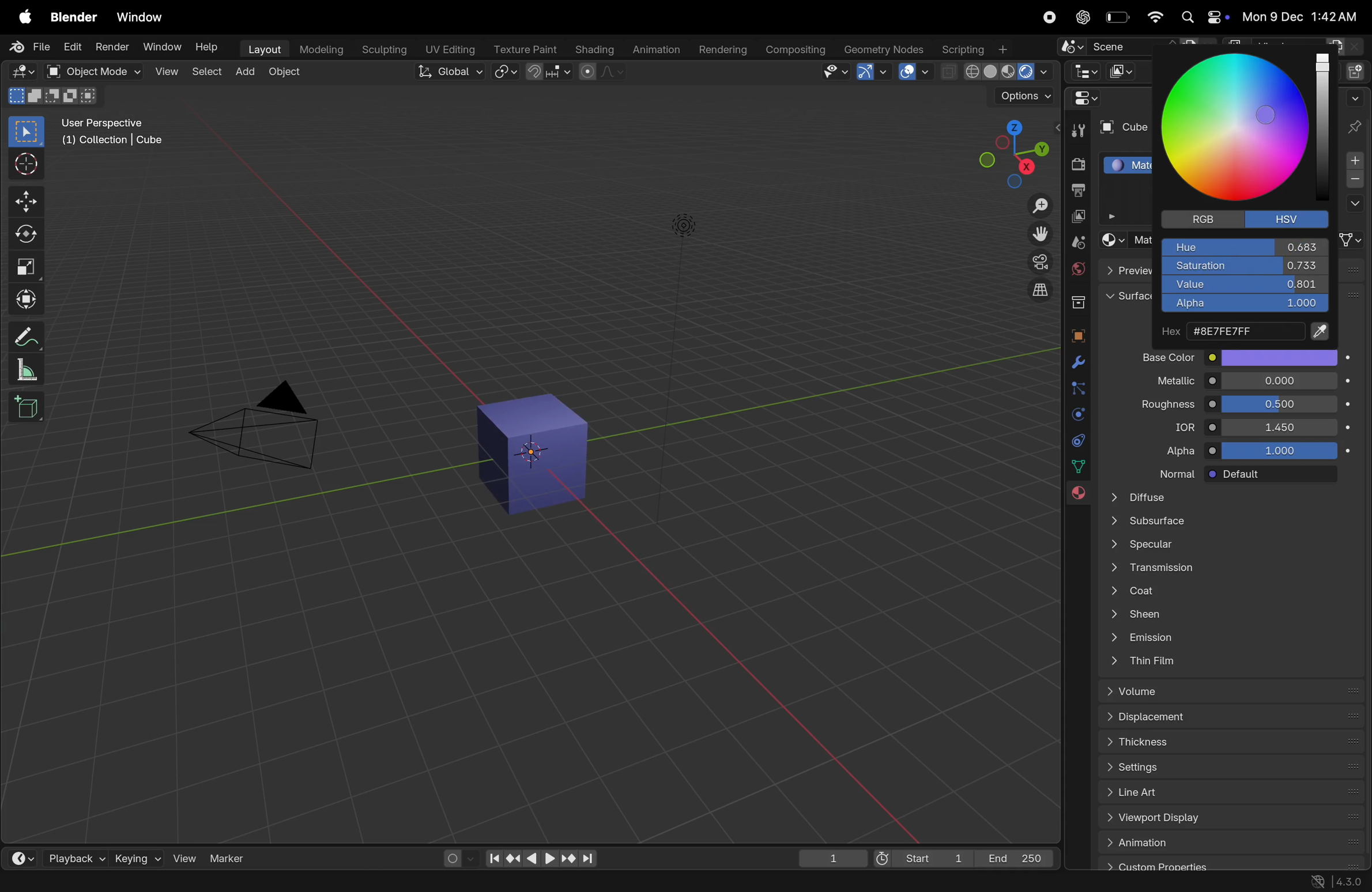 This screenshot has height=892, width=1372. Describe the element at coordinates (22, 337) in the screenshot. I see `annotate` at that location.